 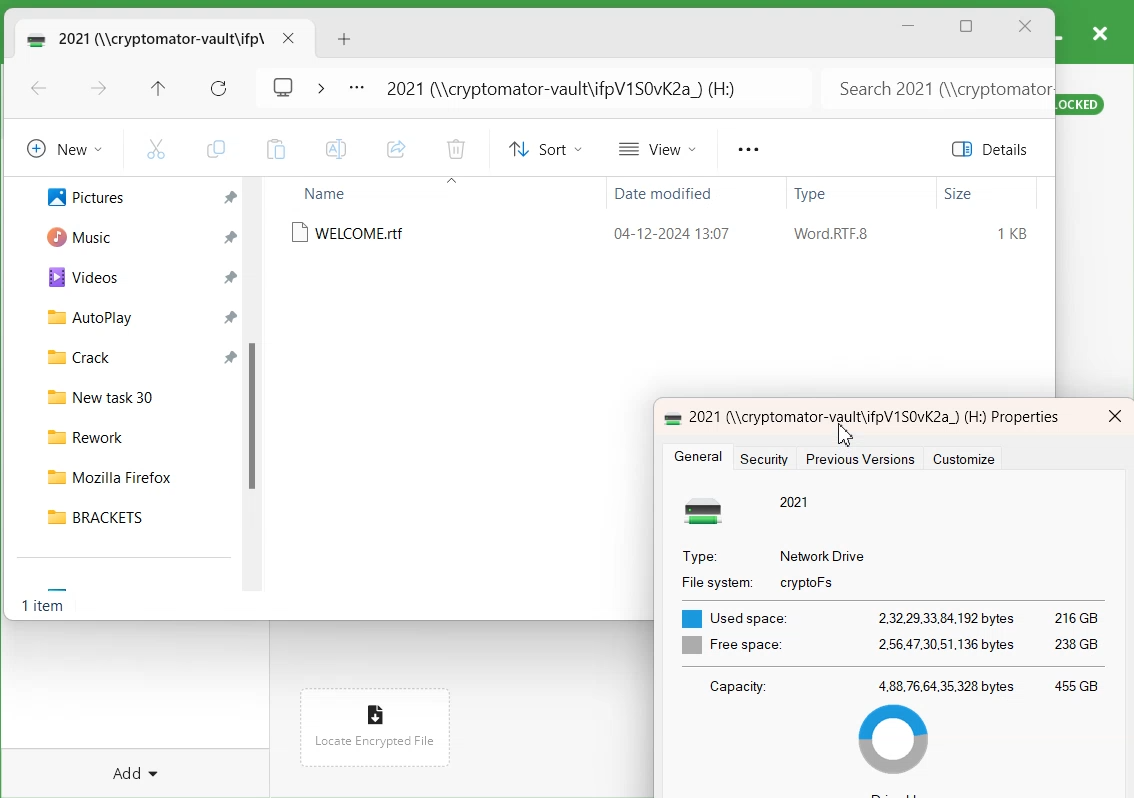 What do you see at coordinates (699, 557) in the screenshot?
I see `Type:` at bounding box center [699, 557].